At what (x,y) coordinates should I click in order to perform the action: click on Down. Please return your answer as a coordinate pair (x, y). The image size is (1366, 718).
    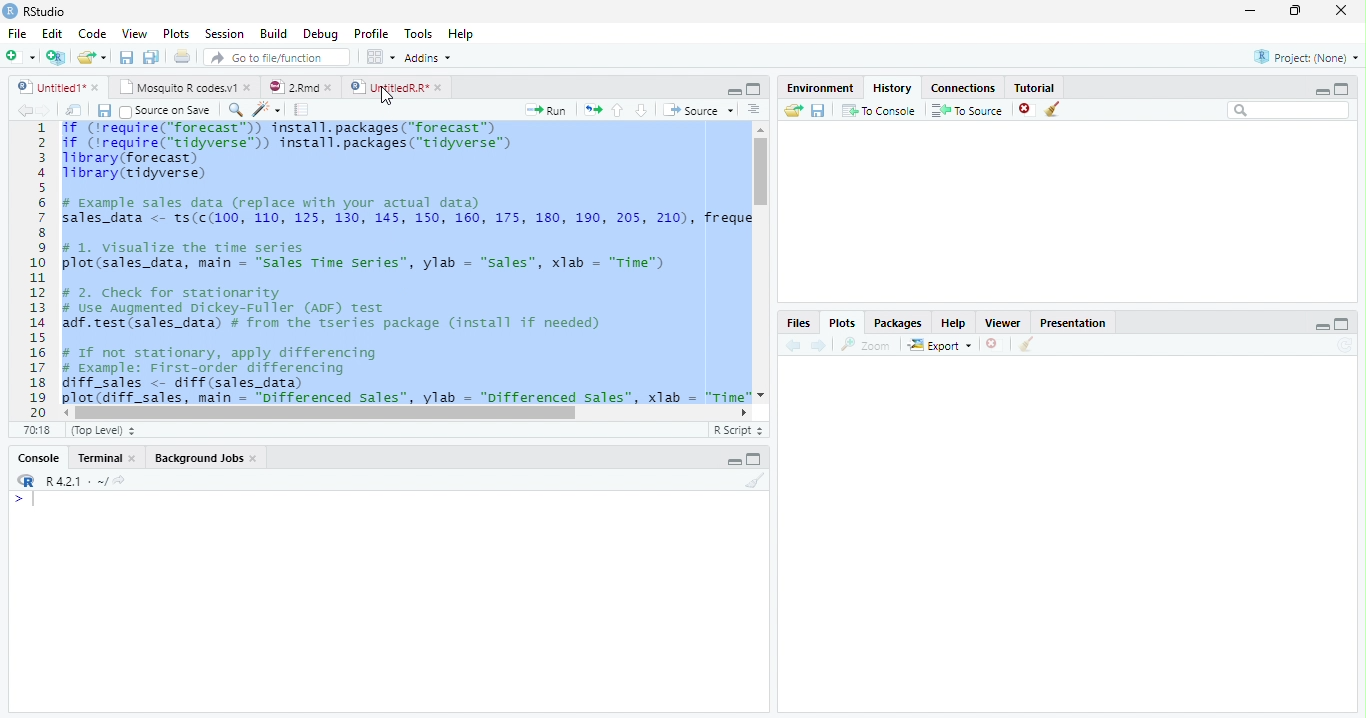
    Looking at the image, I should click on (642, 111).